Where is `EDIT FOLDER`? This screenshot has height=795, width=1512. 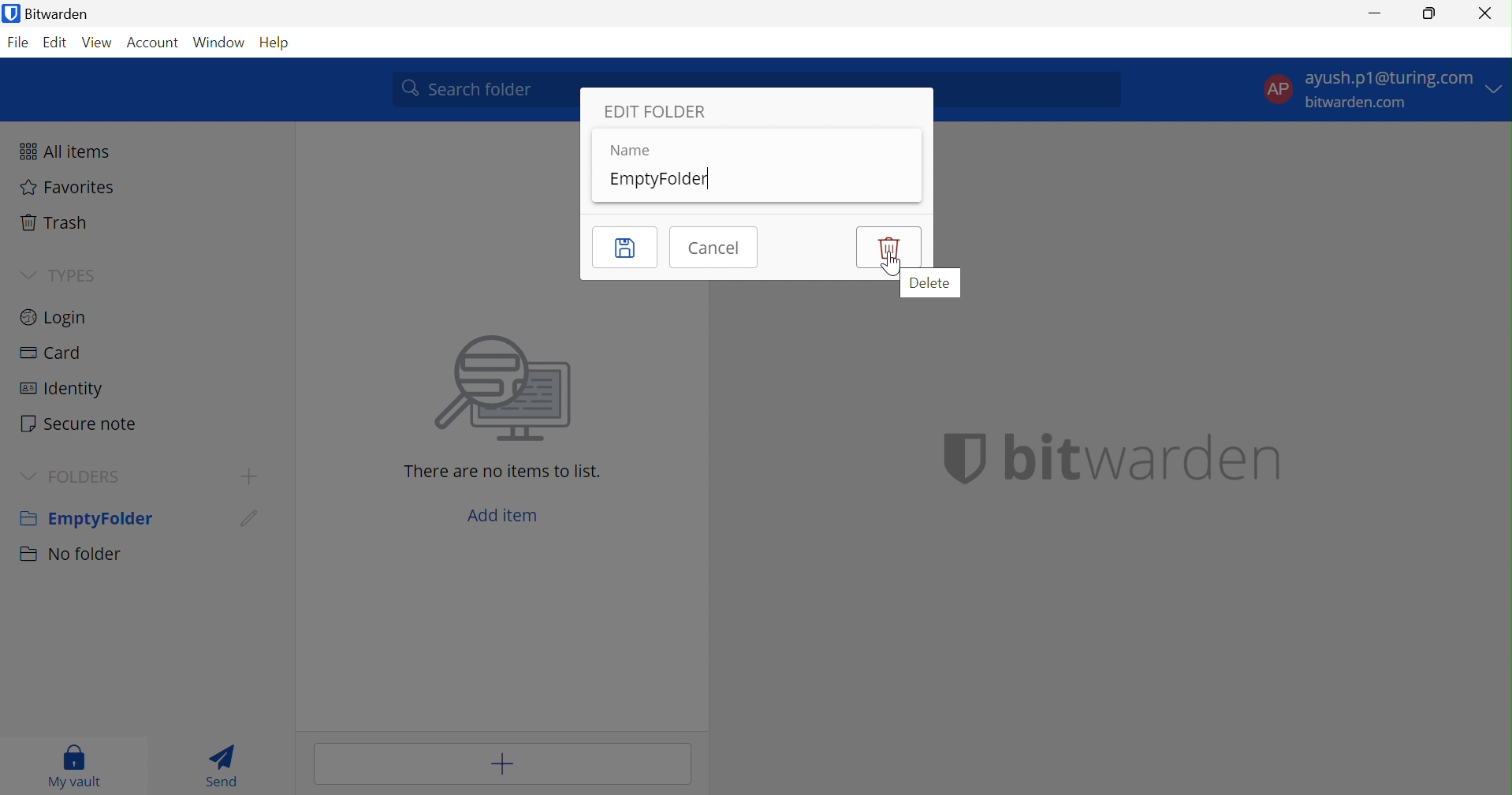 EDIT FOLDER is located at coordinates (662, 113).